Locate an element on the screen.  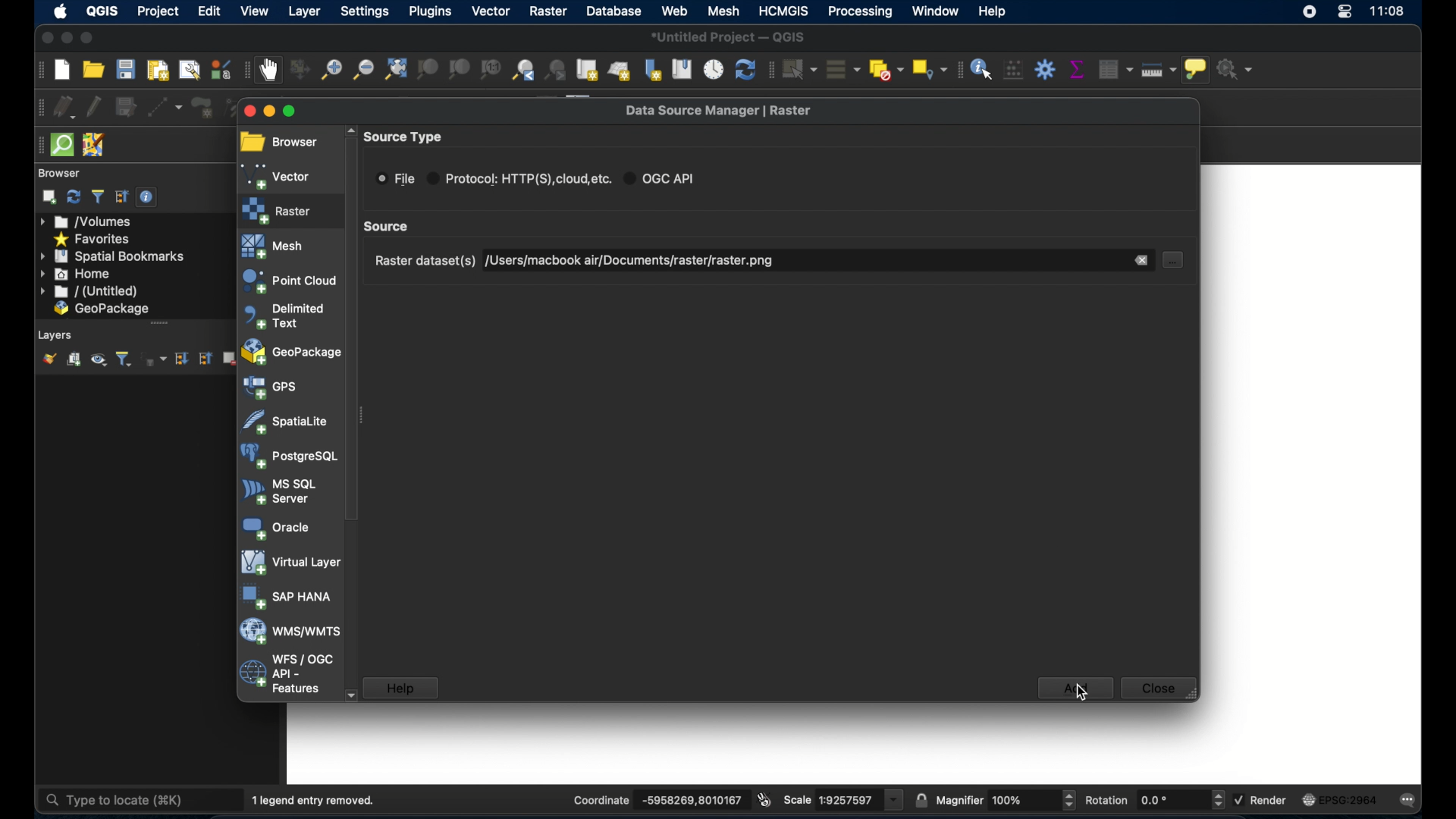
coordinate is located at coordinates (689, 800).